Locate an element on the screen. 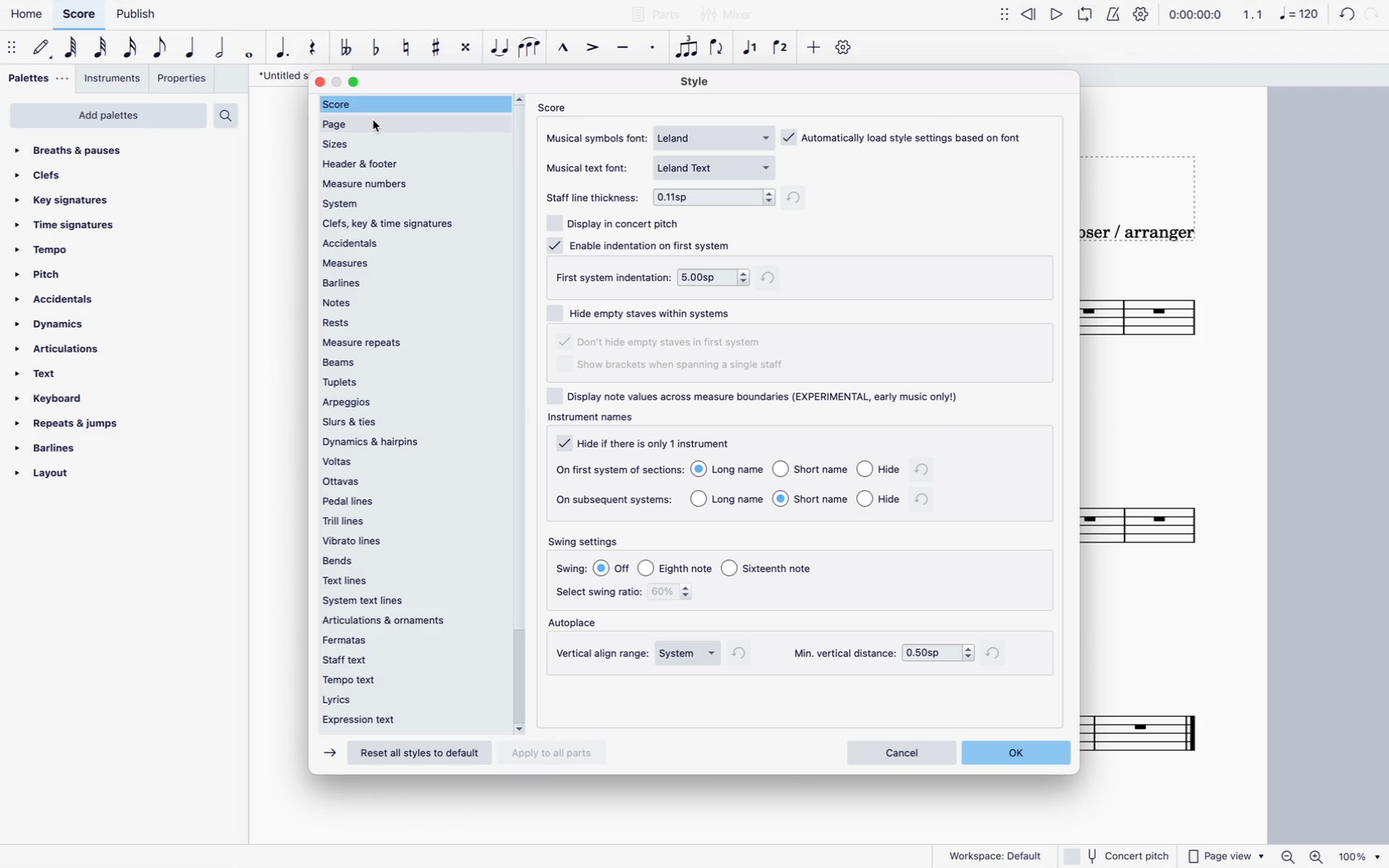 The width and height of the screenshot is (1389, 868). zoom in is located at coordinates (1320, 855).